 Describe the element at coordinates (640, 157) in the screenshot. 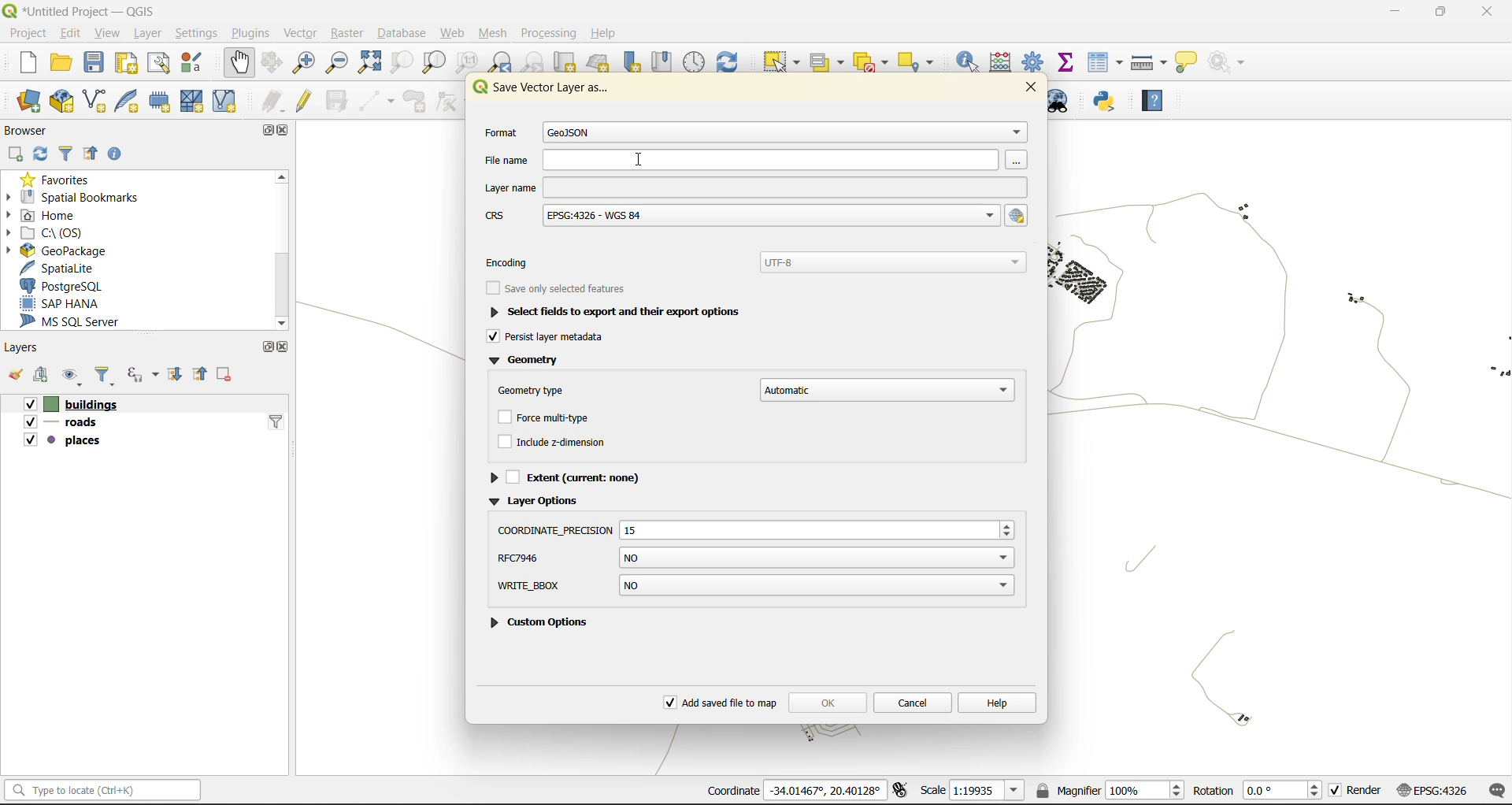

I see `cursor` at that location.